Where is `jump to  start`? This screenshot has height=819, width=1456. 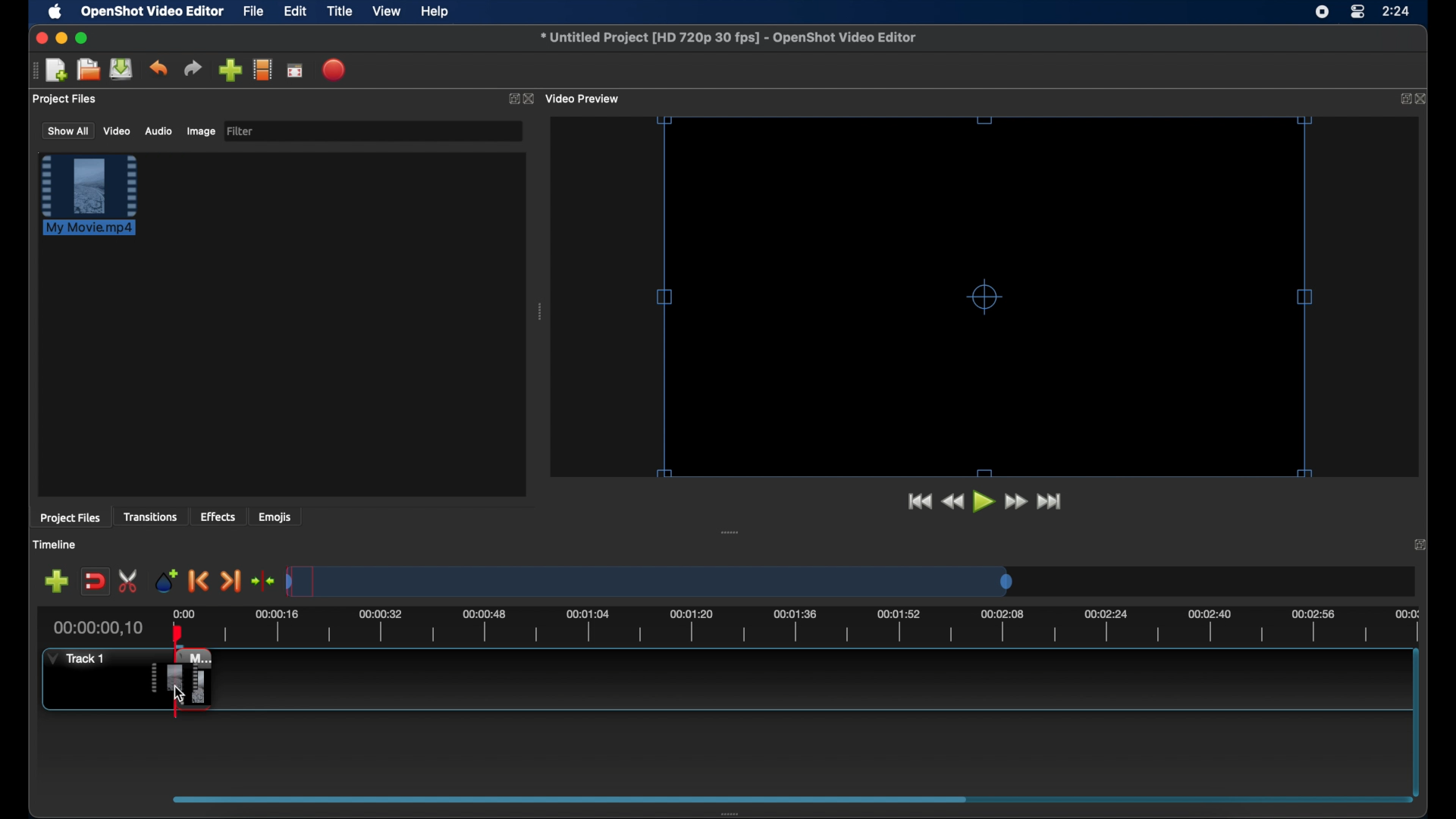
jump to  start is located at coordinates (918, 500).